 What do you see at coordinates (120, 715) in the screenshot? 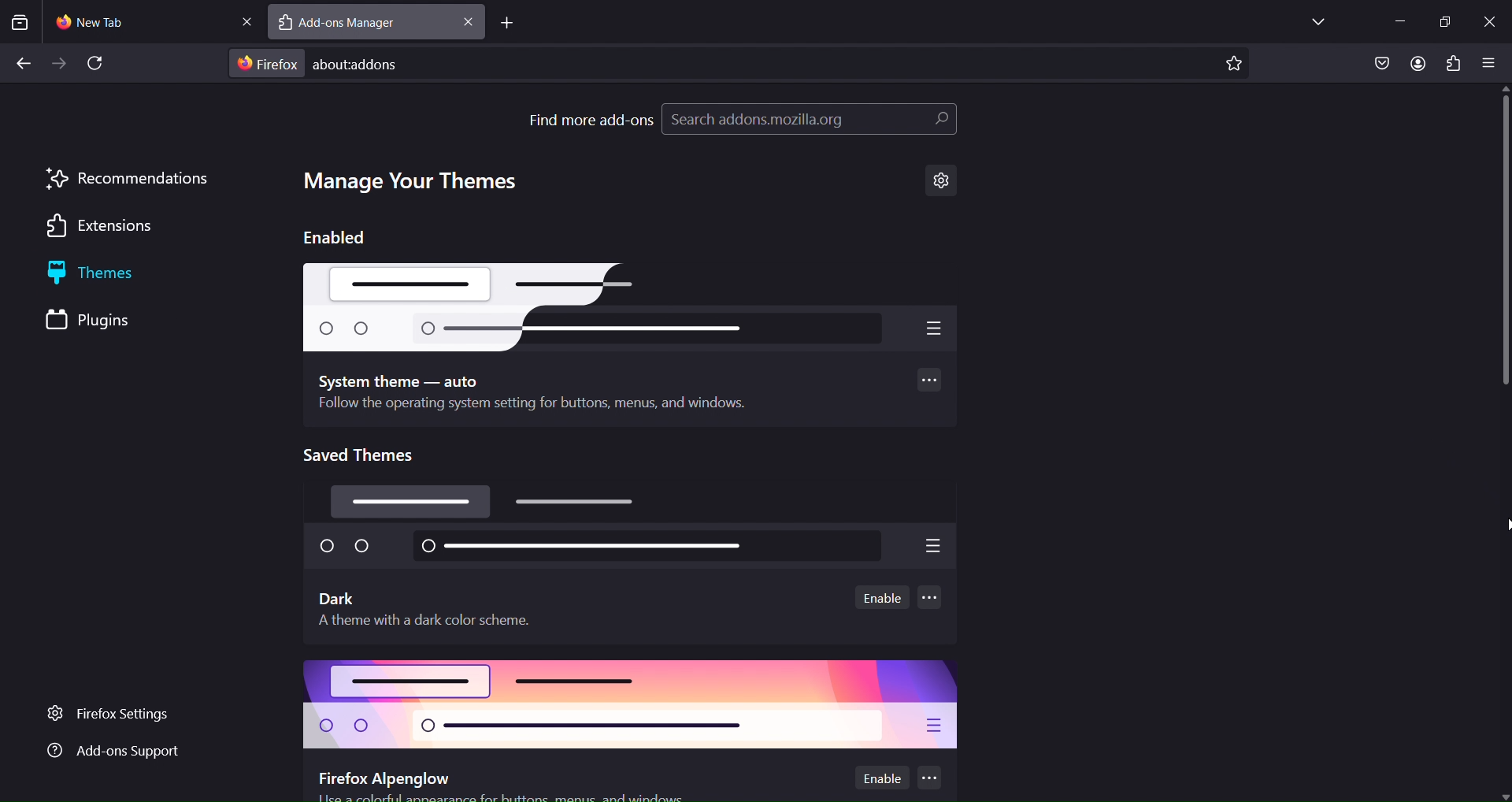
I see `firefox settings` at bounding box center [120, 715].